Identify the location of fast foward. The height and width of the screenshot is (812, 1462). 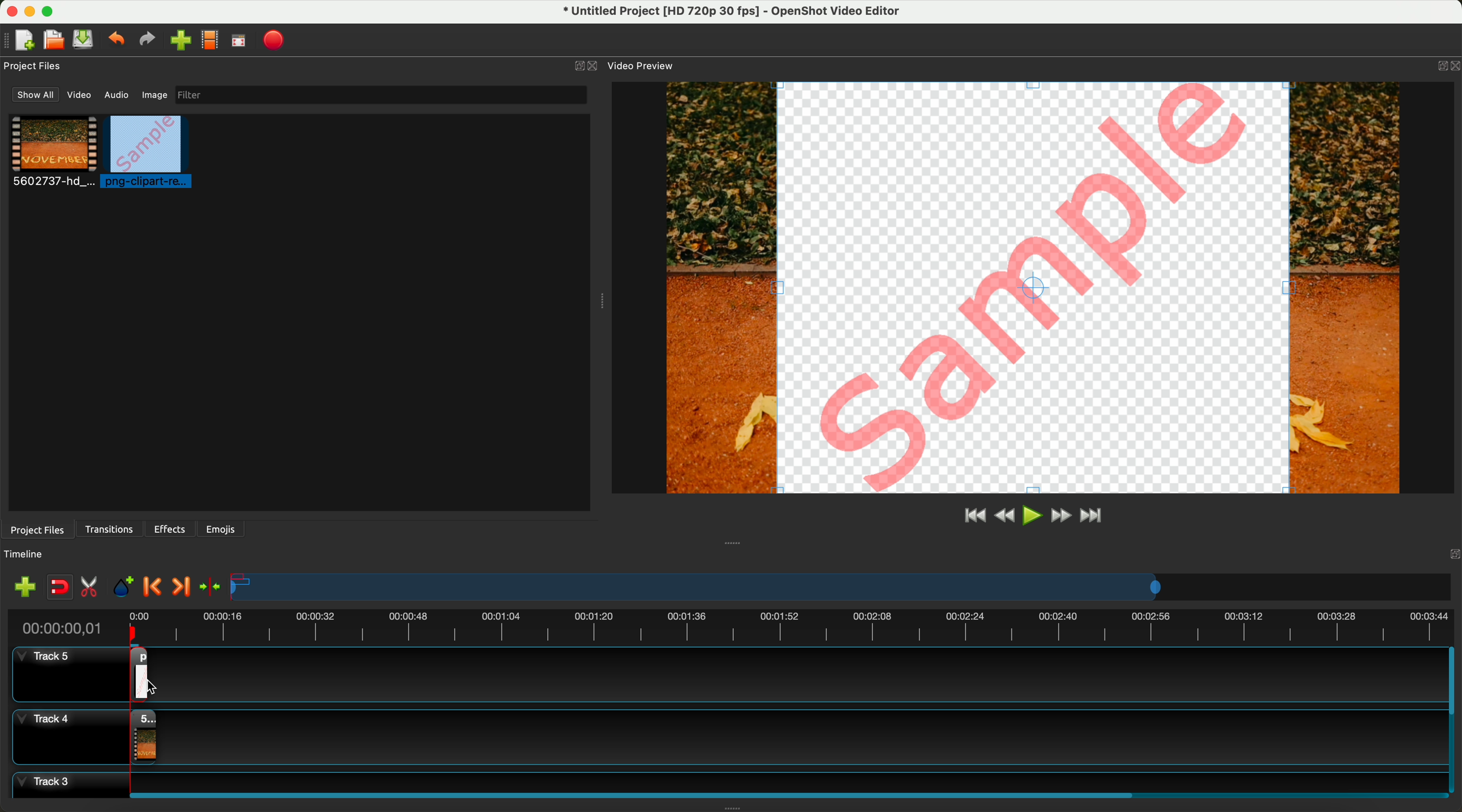
(1060, 517).